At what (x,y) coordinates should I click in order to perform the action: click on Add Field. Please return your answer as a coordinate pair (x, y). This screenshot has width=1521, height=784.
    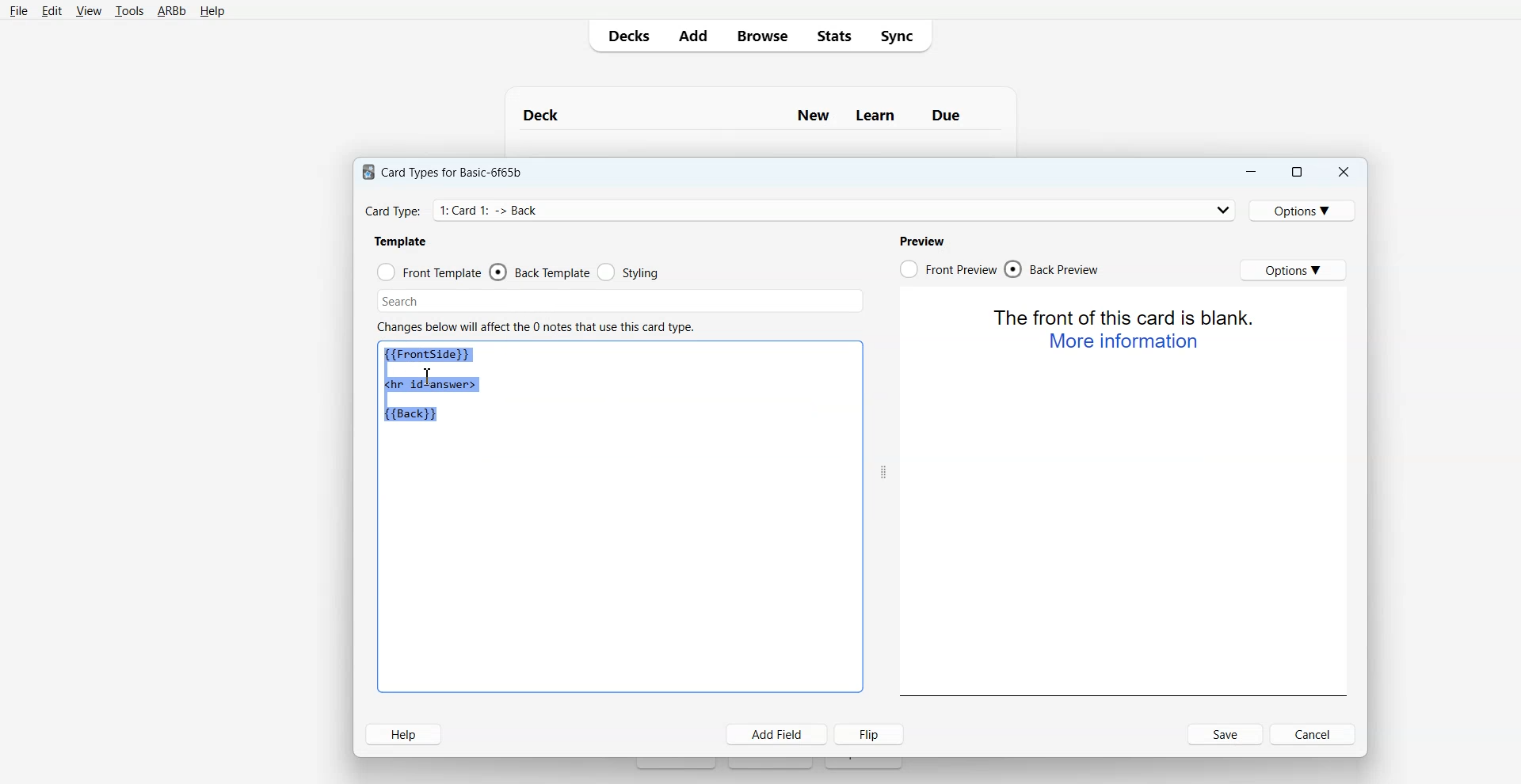
    Looking at the image, I should click on (777, 734).